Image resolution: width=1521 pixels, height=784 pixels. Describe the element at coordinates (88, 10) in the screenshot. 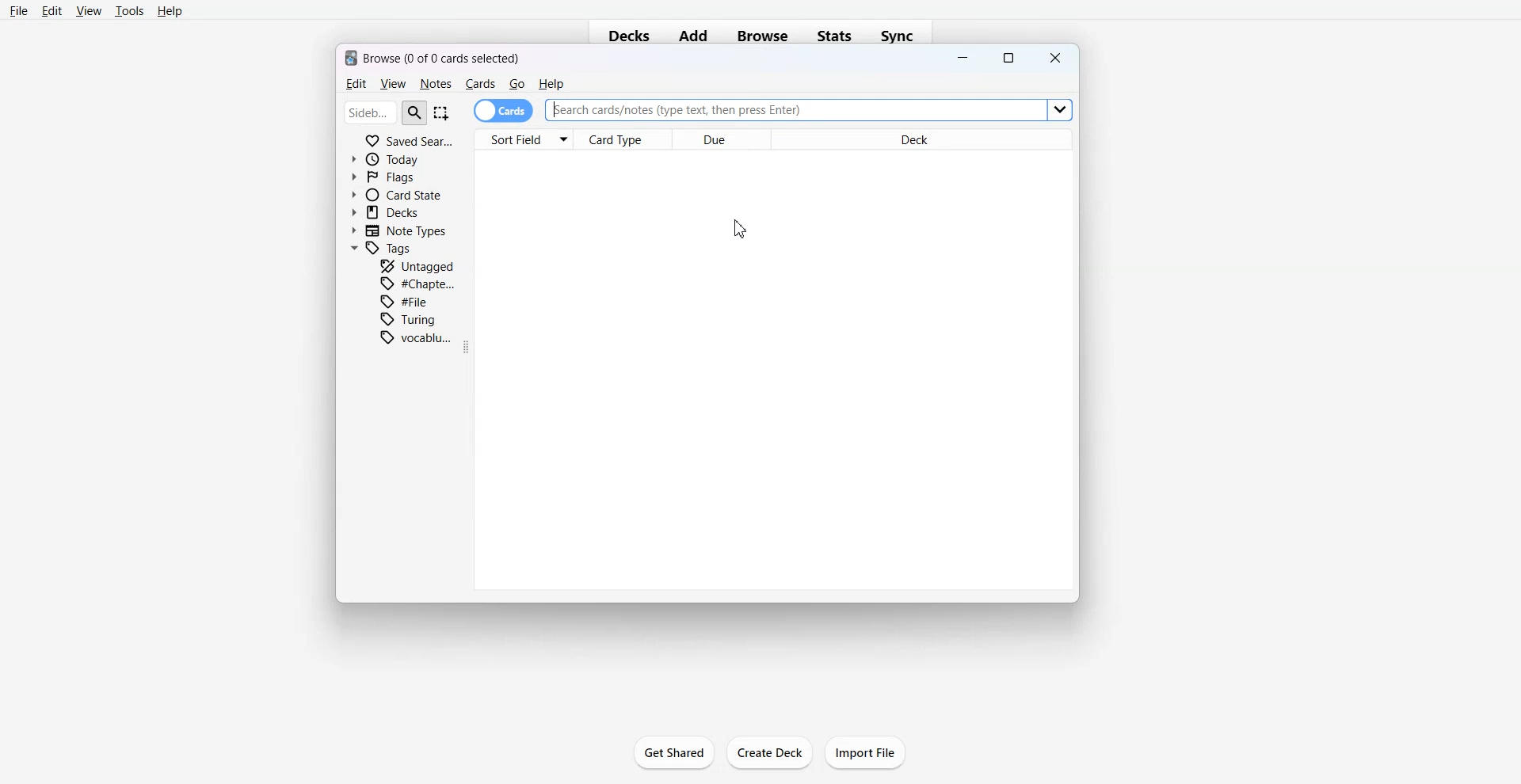

I see `View` at that location.